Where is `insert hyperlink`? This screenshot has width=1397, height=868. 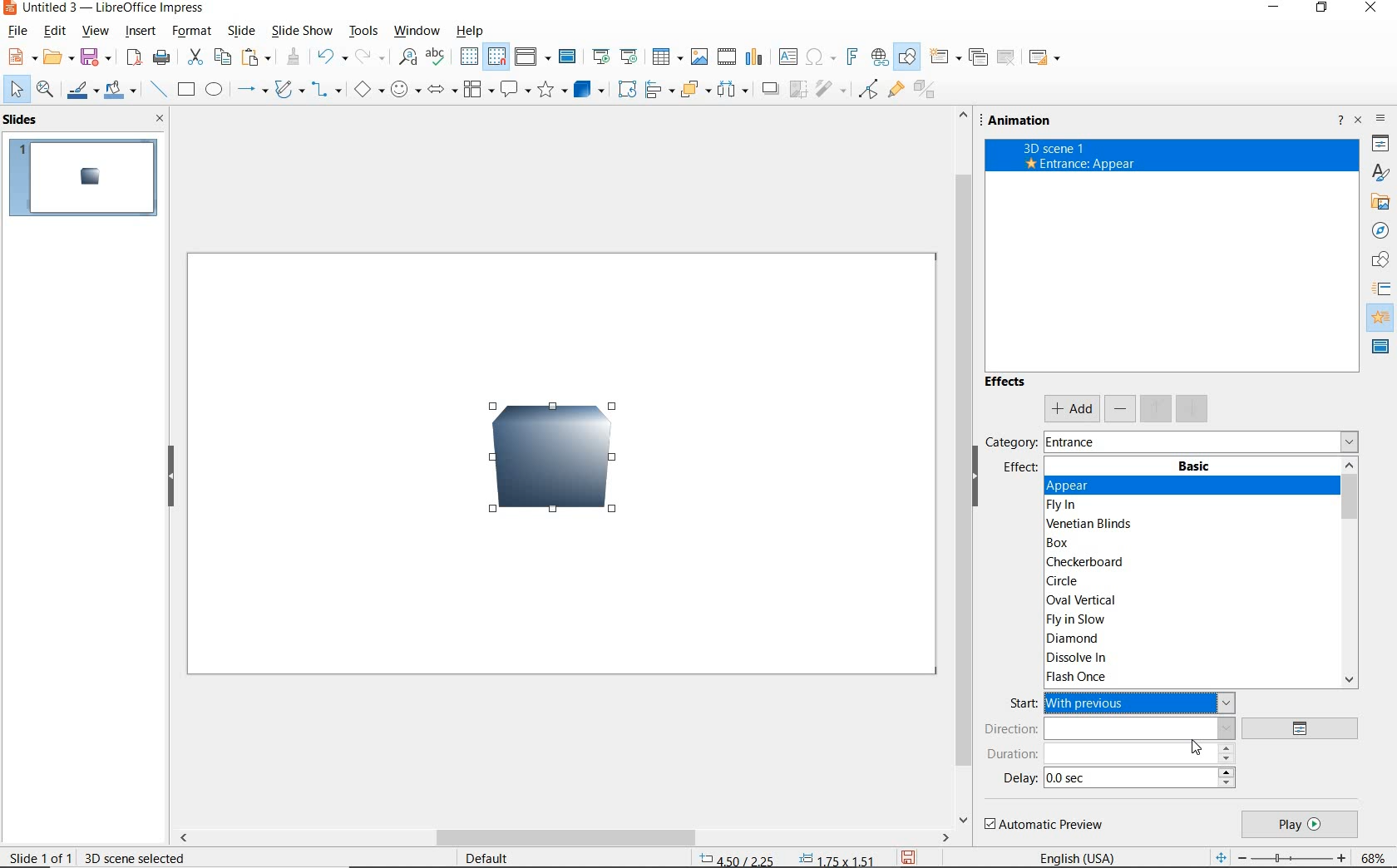
insert hyperlink is located at coordinates (877, 57).